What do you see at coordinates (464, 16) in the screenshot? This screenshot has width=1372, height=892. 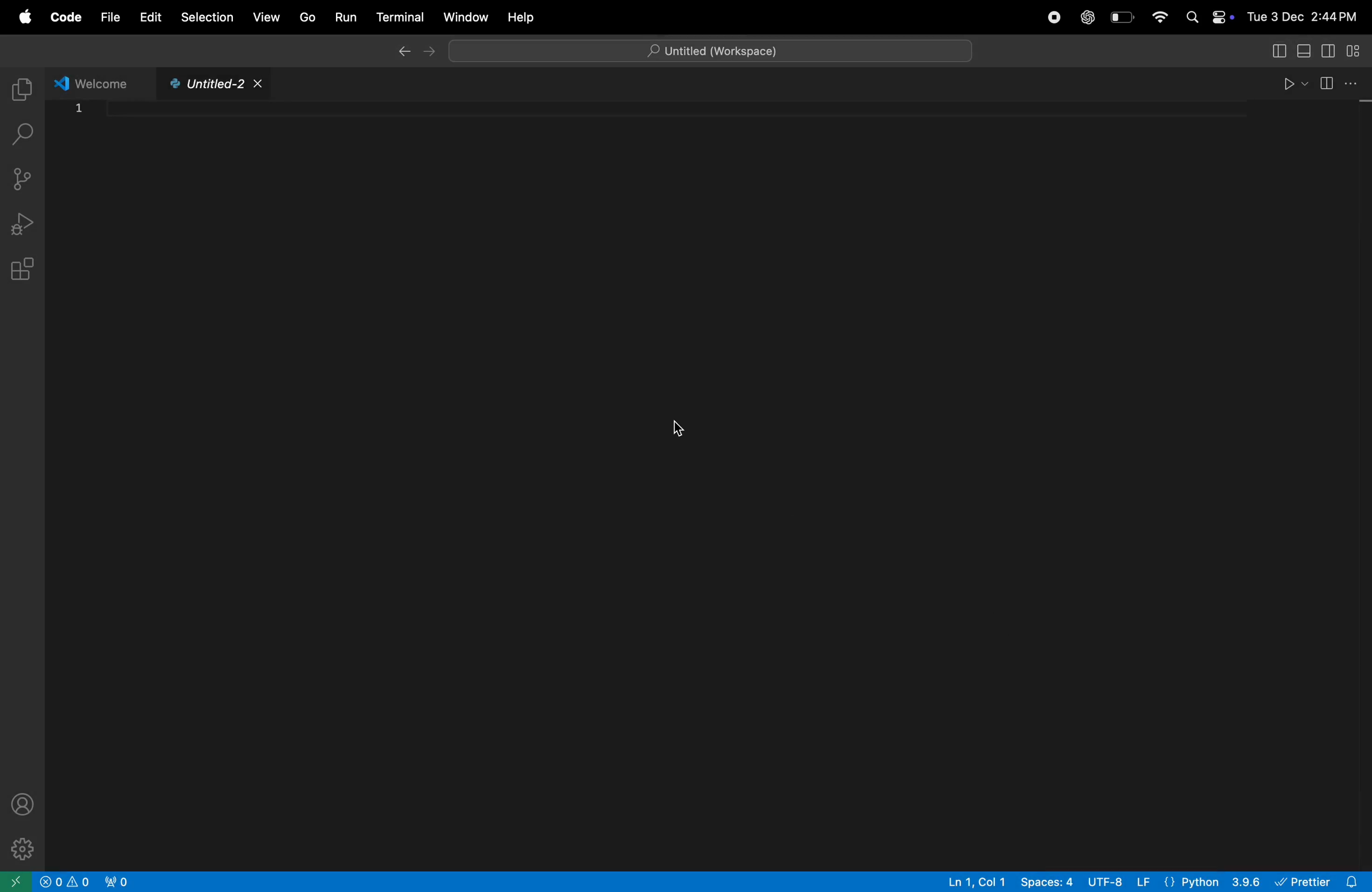 I see `window` at bounding box center [464, 16].